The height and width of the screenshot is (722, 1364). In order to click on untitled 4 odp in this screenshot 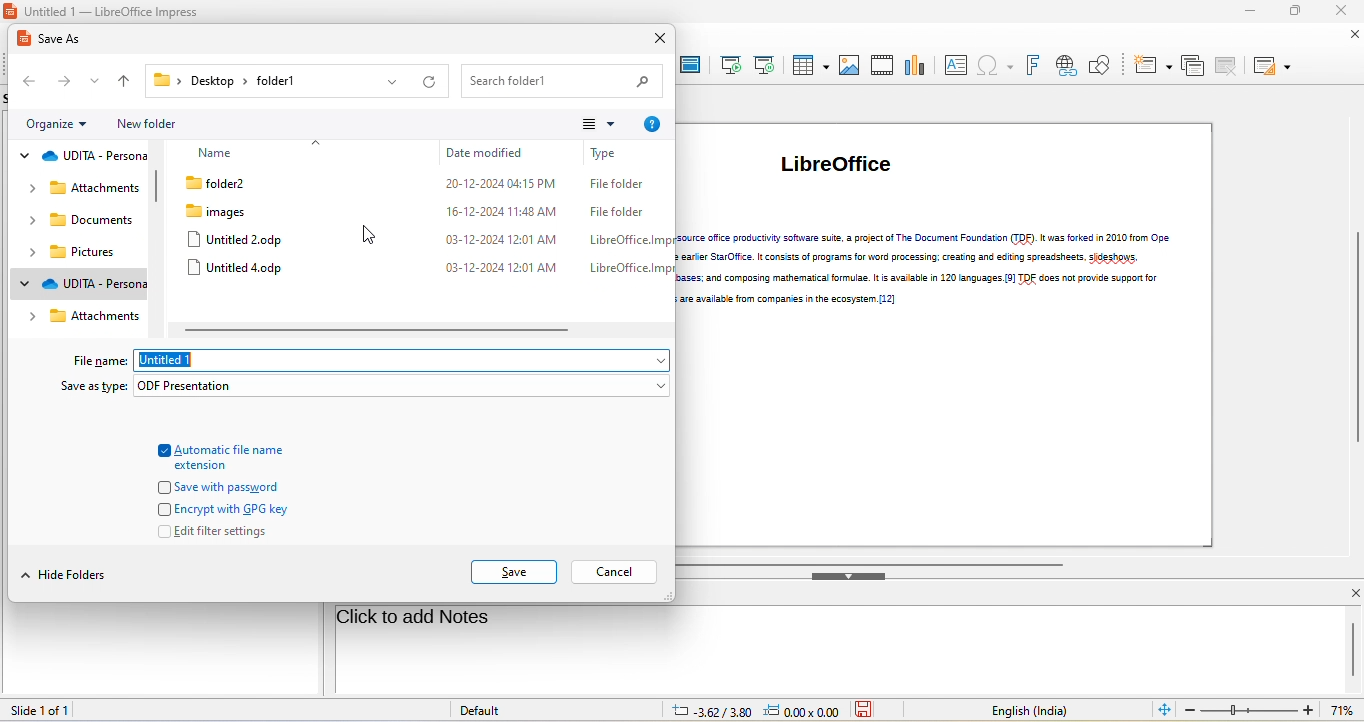, I will do `click(240, 269)`.